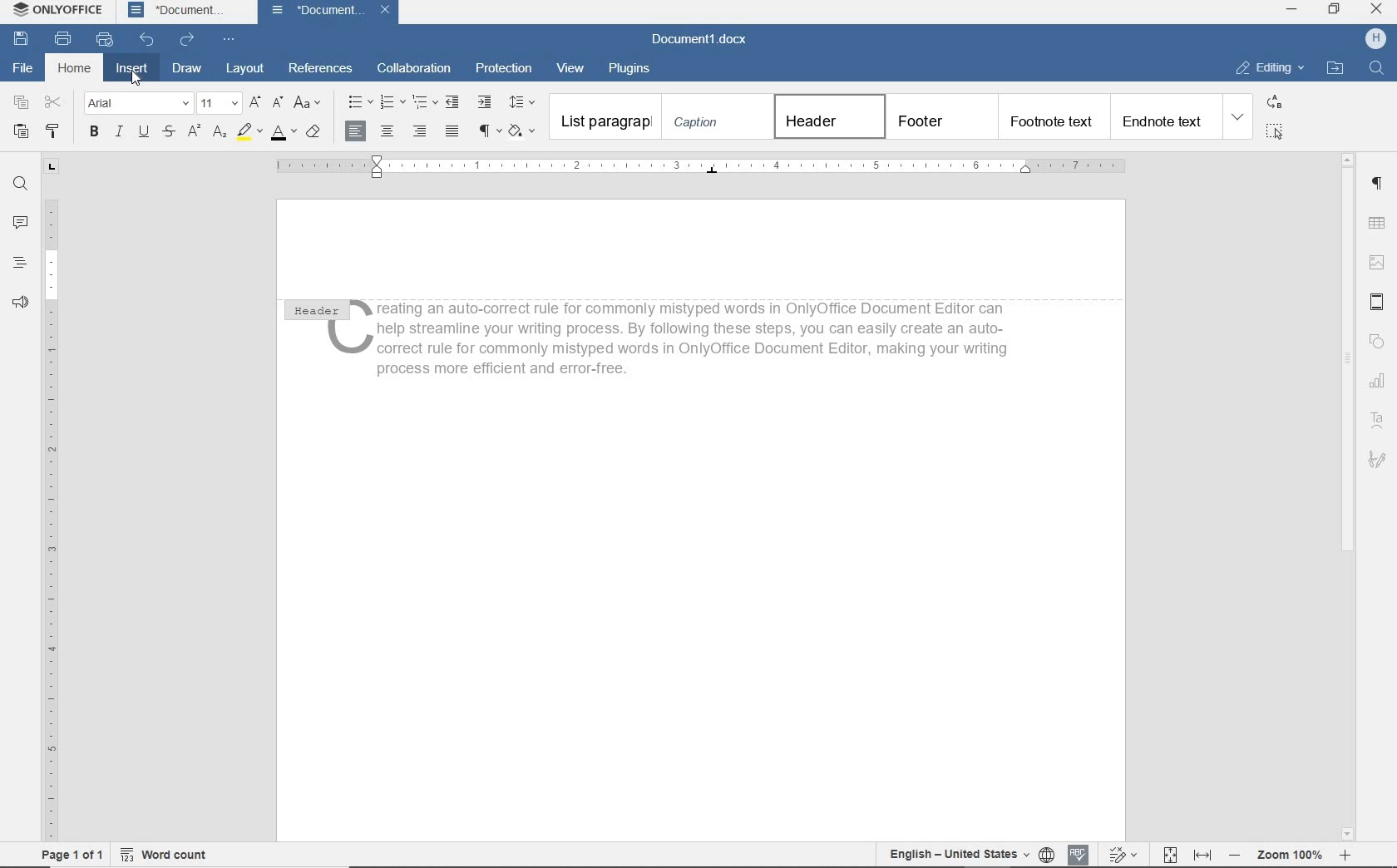 This screenshot has height=868, width=1397. What do you see at coordinates (146, 132) in the screenshot?
I see `UNDERLINE` at bounding box center [146, 132].